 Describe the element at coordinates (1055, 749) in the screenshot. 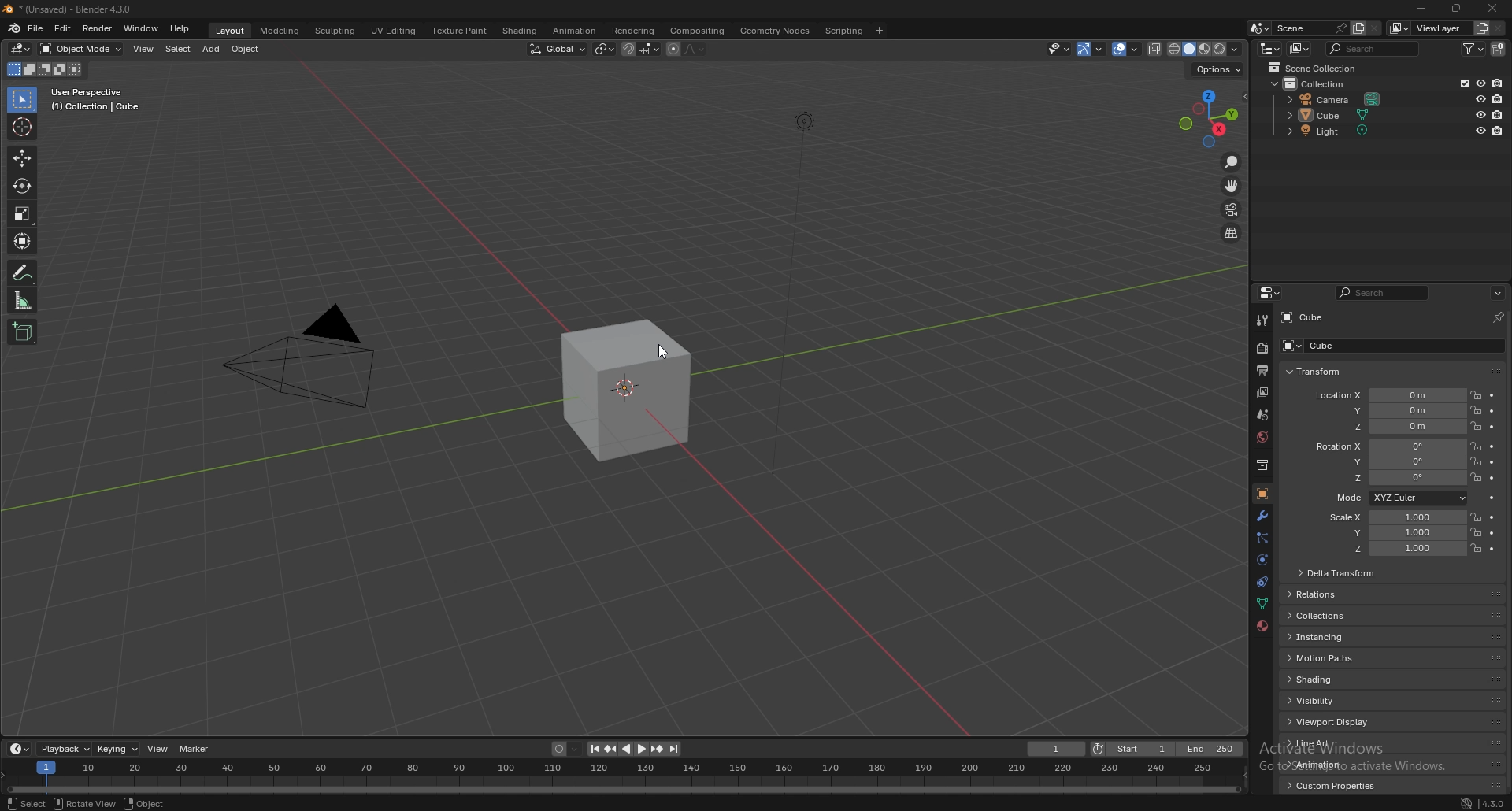

I see `current frame` at that location.